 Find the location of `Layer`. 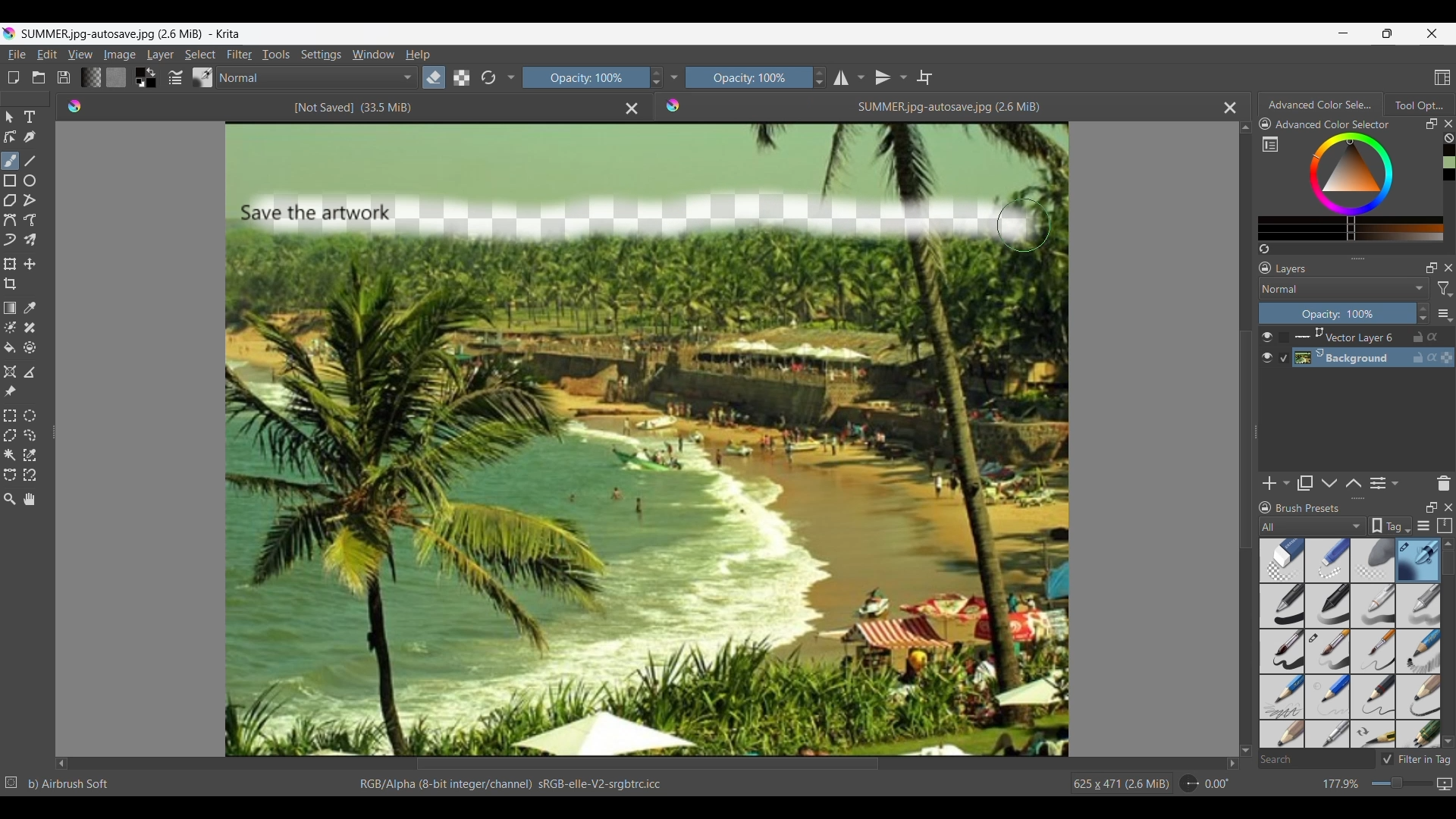

Layer is located at coordinates (161, 55).